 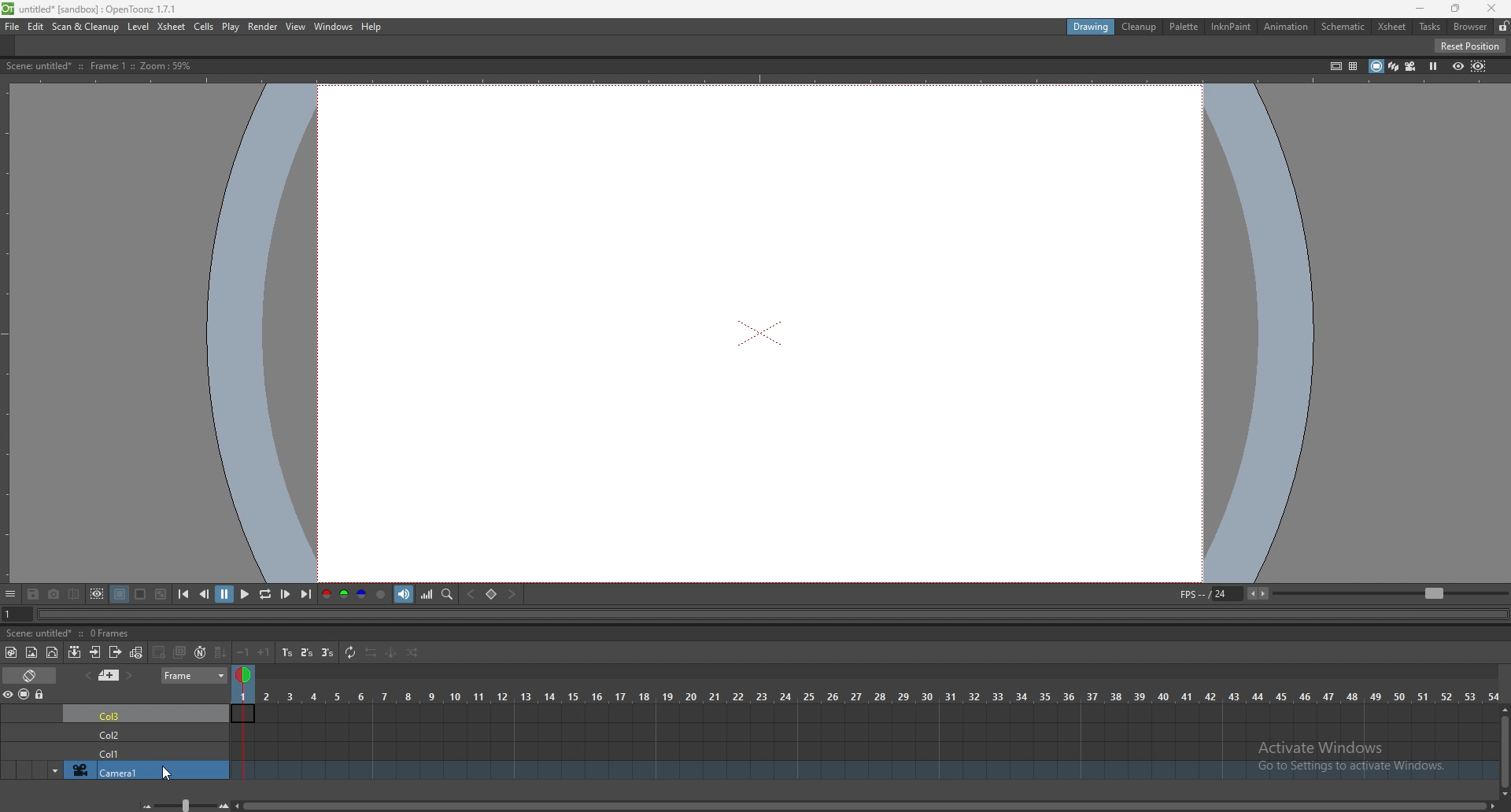 I want to click on camera stand visibility toggle, so click(x=24, y=695).